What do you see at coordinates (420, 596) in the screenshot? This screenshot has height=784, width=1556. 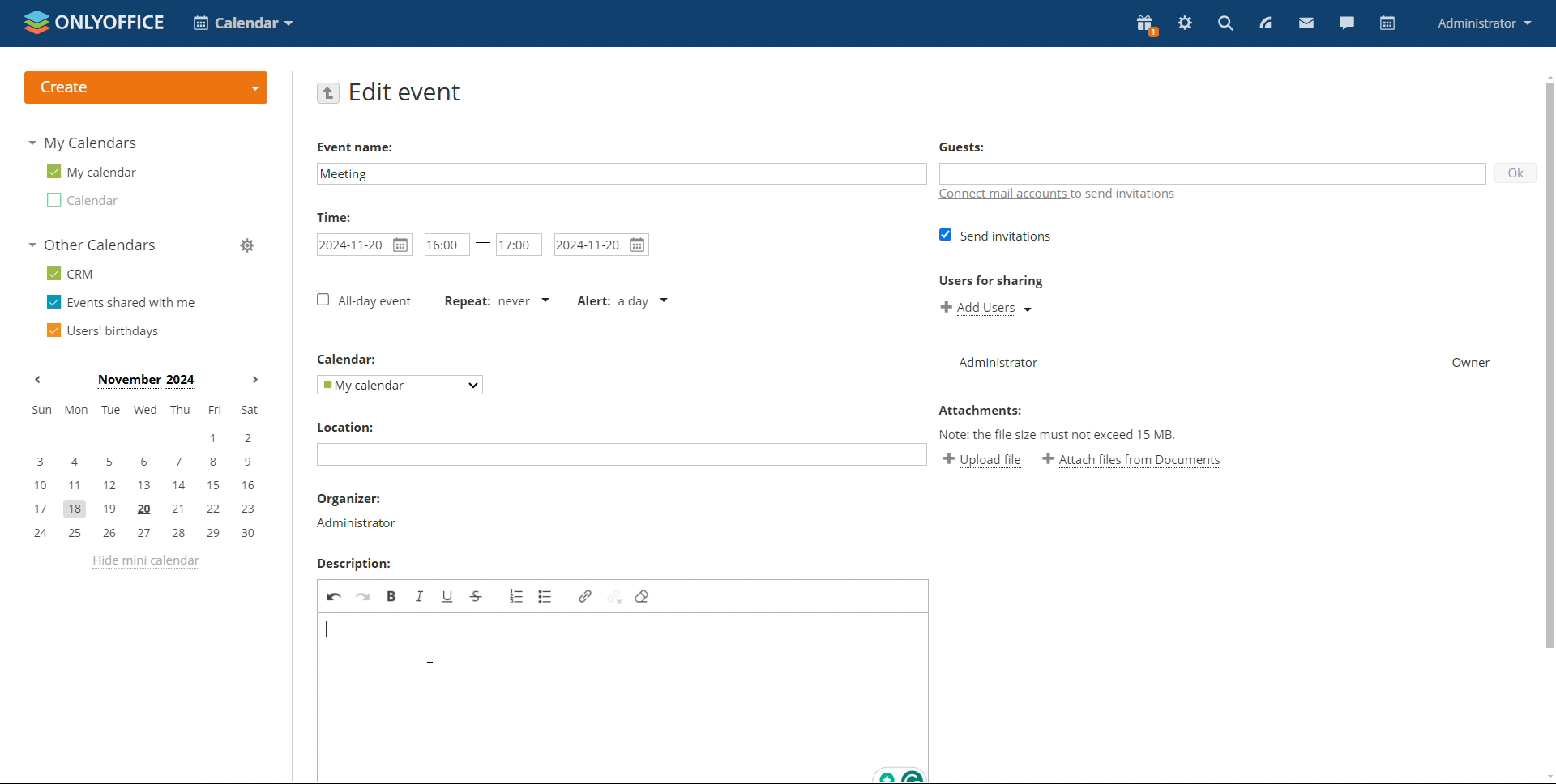 I see `italic` at bounding box center [420, 596].